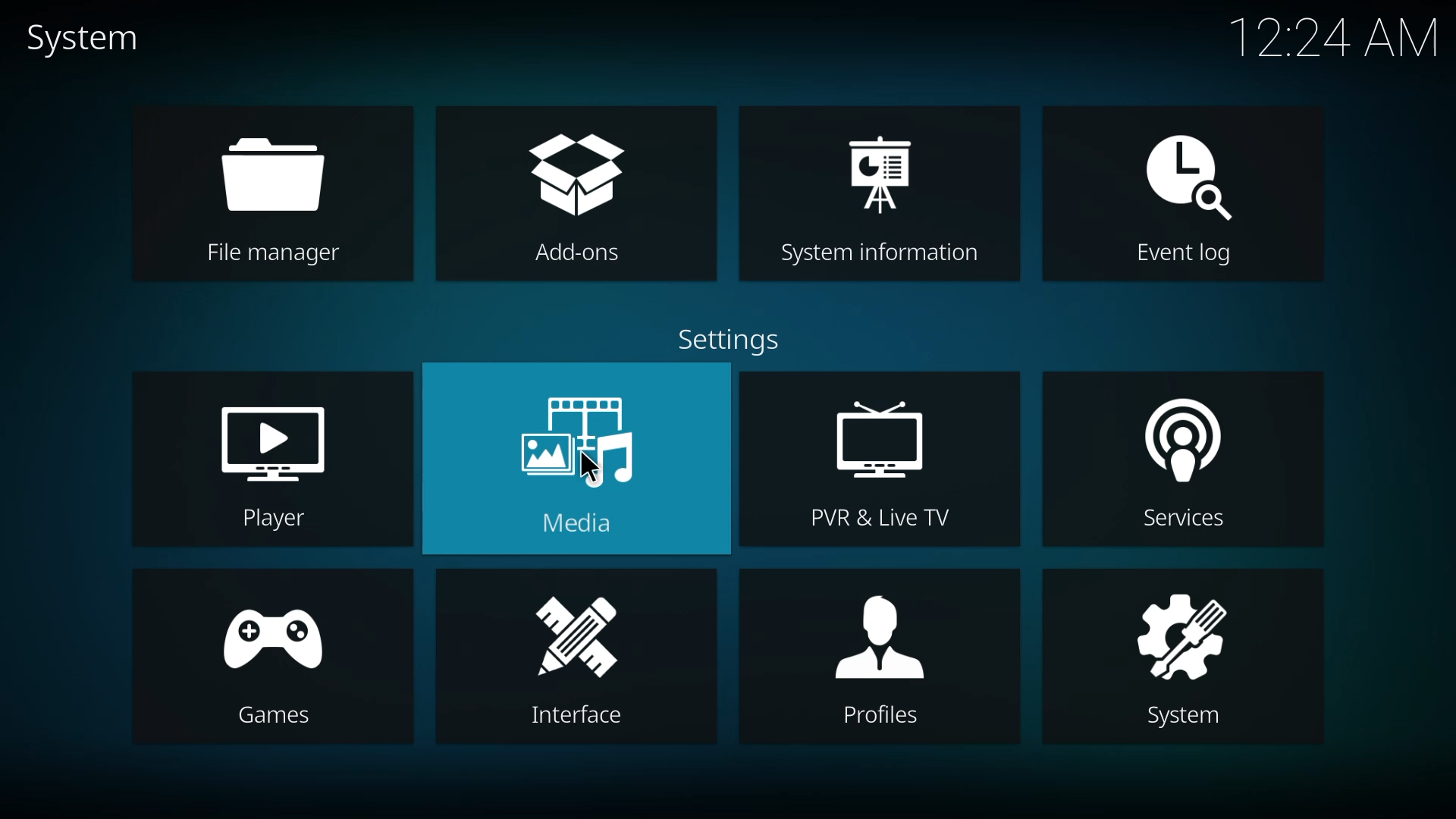 The image size is (1456, 819). What do you see at coordinates (270, 659) in the screenshot?
I see `games` at bounding box center [270, 659].